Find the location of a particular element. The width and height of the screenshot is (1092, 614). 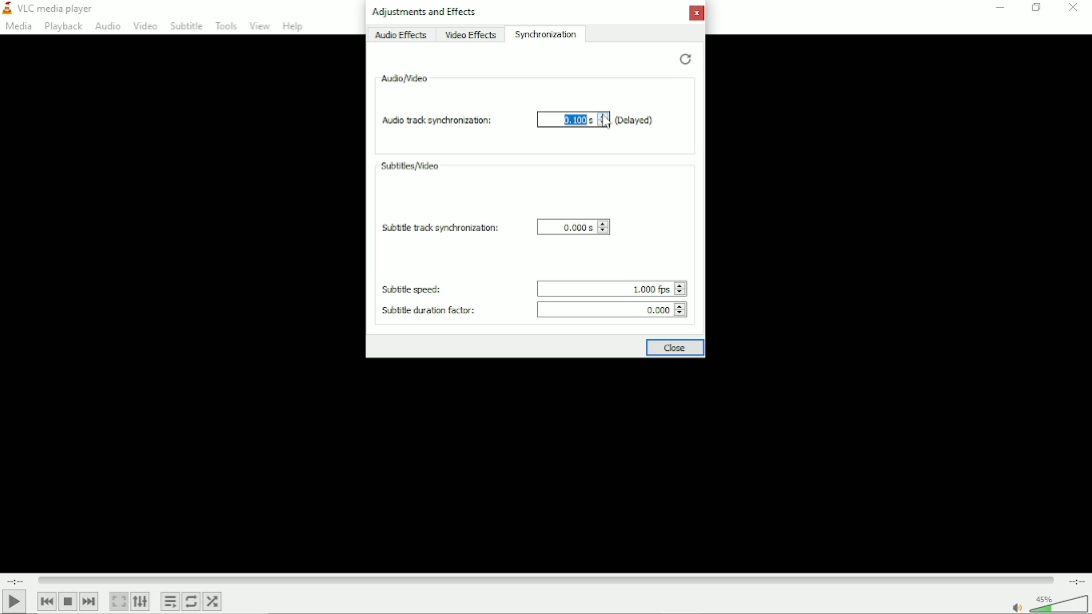

Next is located at coordinates (90, 601).